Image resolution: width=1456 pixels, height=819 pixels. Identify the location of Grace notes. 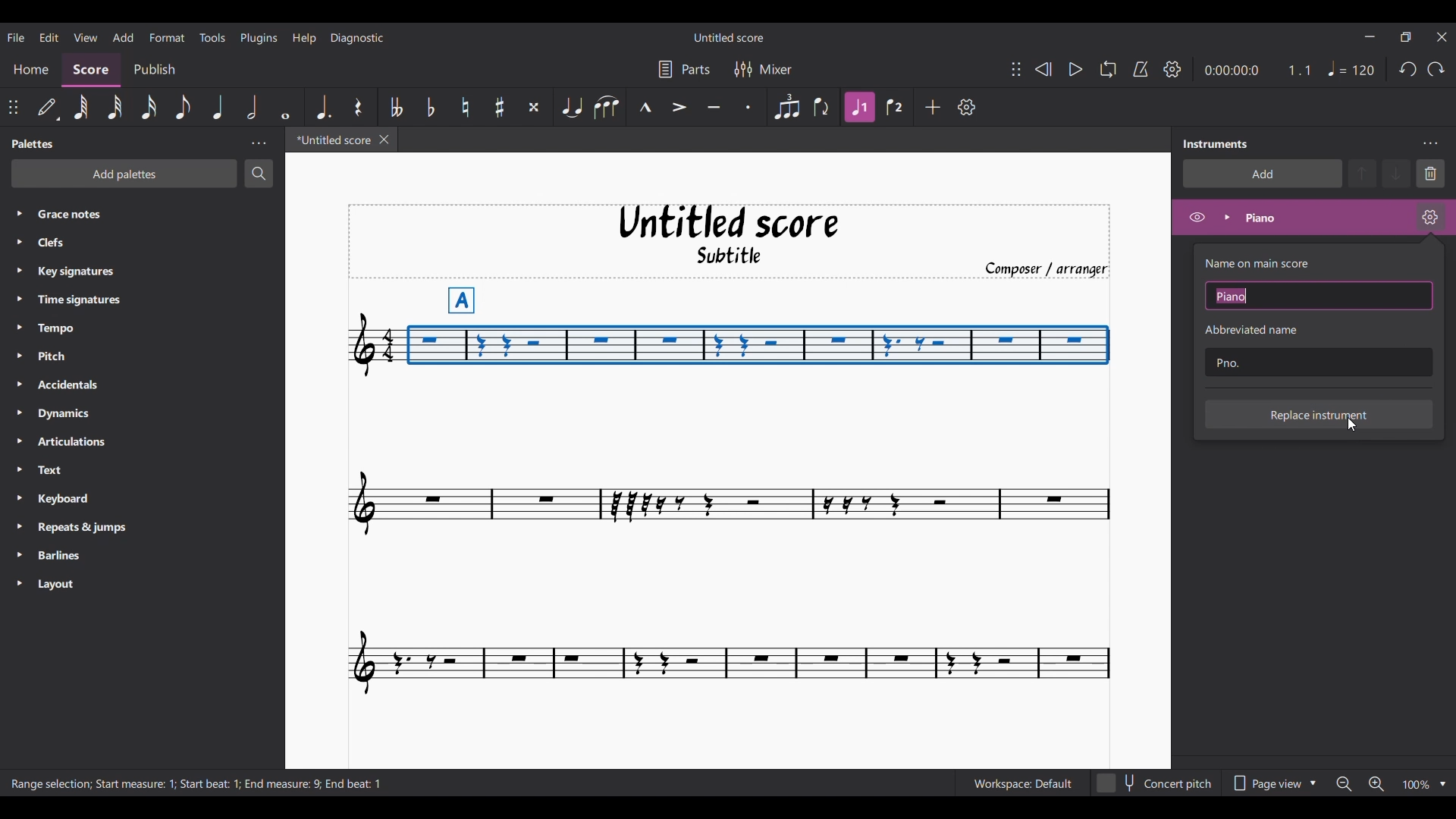
(153, 212).